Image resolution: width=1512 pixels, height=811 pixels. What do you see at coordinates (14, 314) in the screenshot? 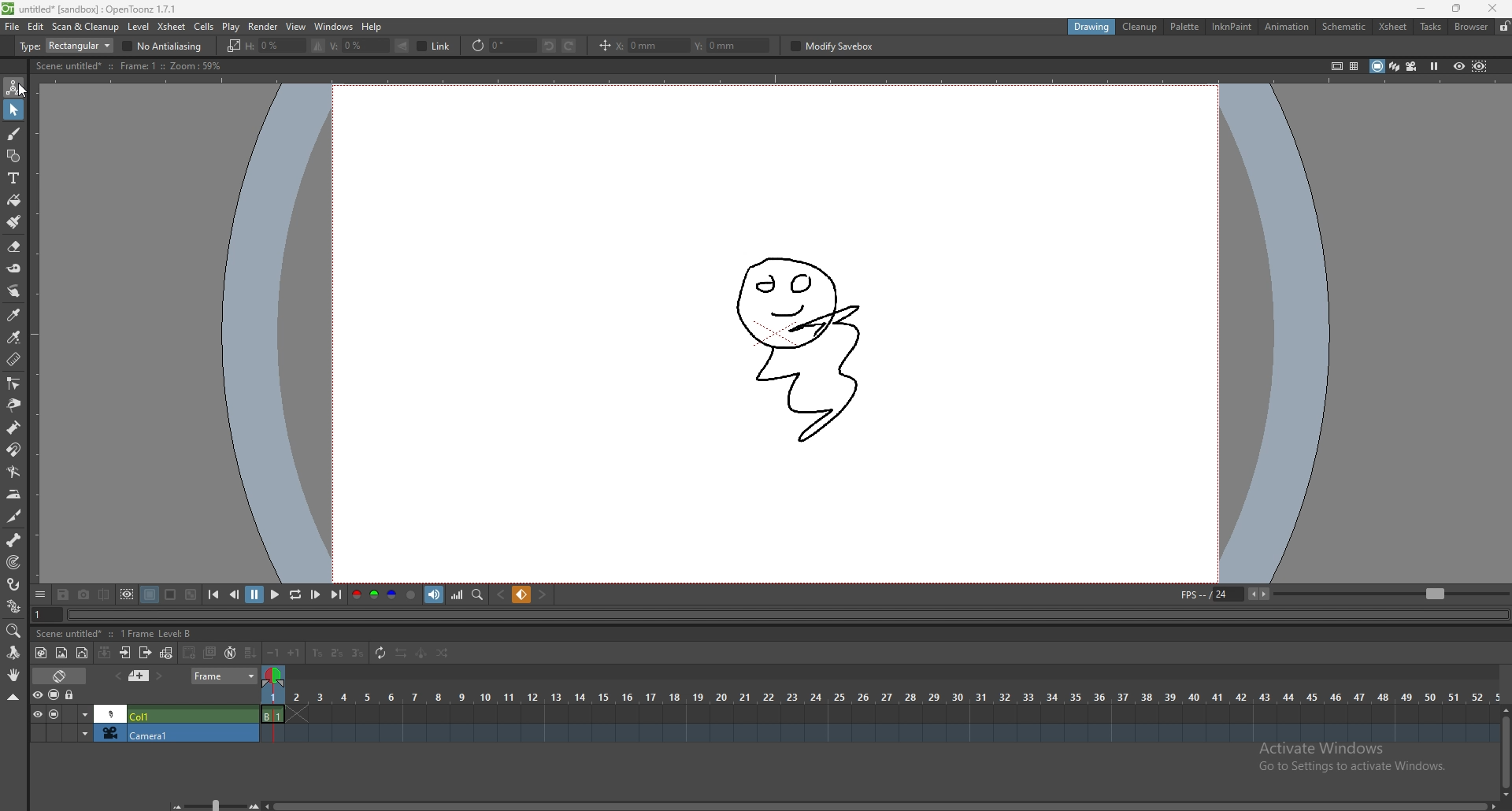
I see `style picker` at bounding box center [14, 314].